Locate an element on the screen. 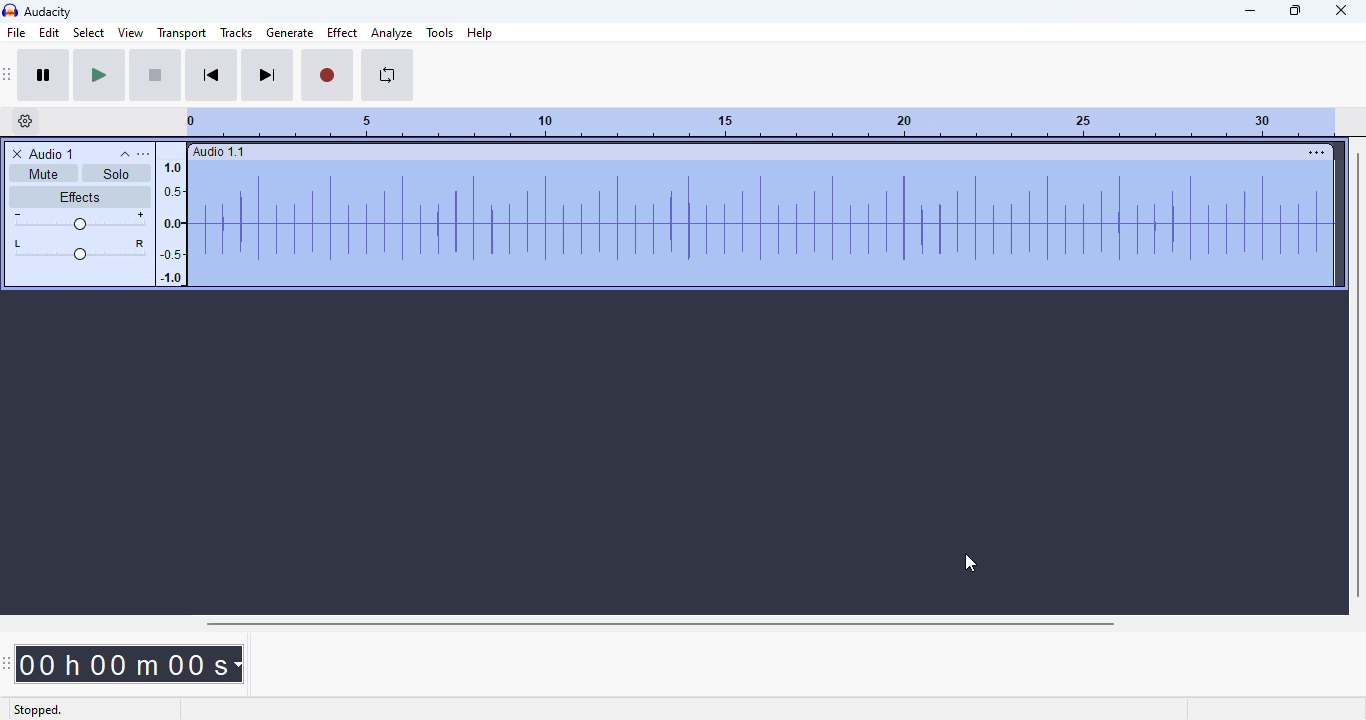 Image resolution: width=1366 pixels, height=720 pixels. track options is located at coordinates (1317, 153).